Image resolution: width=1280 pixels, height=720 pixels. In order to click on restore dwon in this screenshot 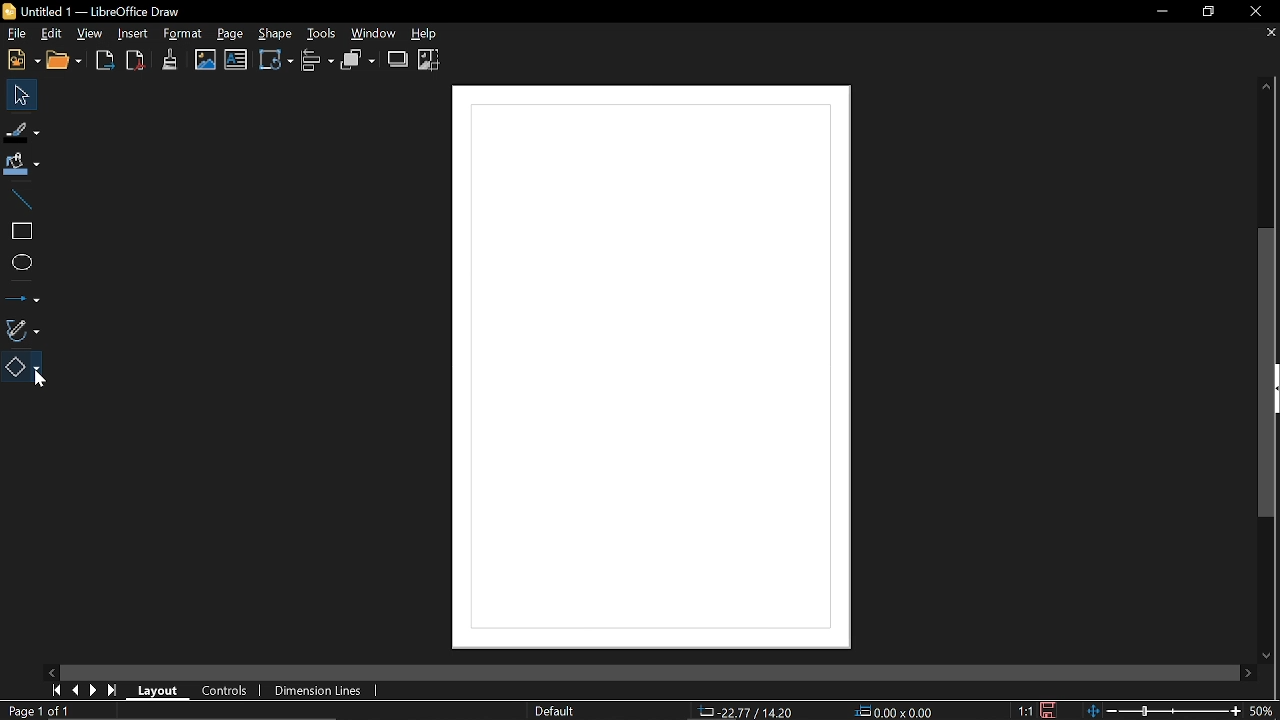, I will do `click(1209, 13)`.